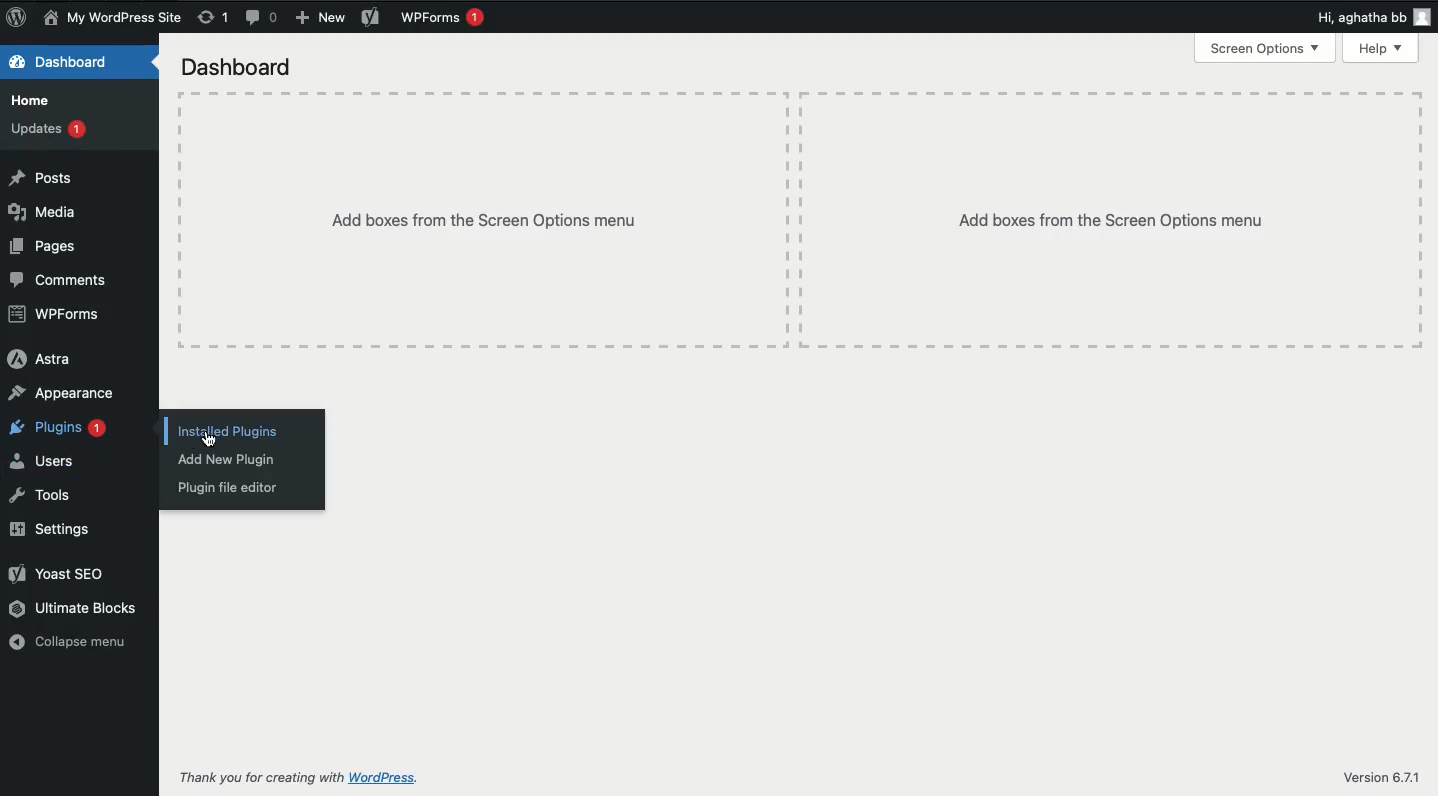 The image size is (1438, 796). I want to click on Add new plugin, so click(228, 459).